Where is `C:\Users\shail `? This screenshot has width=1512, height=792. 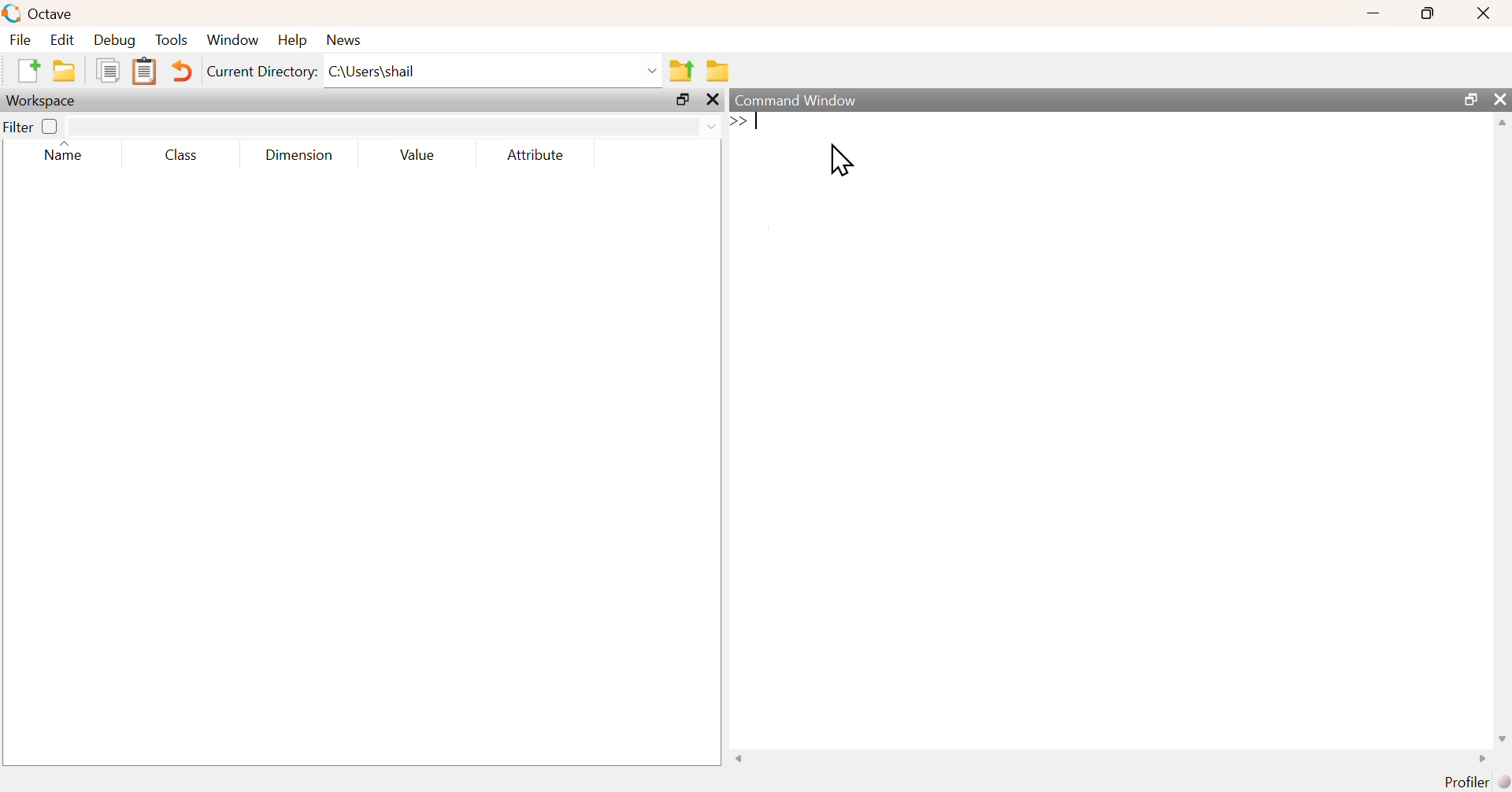 C:\Users\shail  is located at coordinates (494, 74).